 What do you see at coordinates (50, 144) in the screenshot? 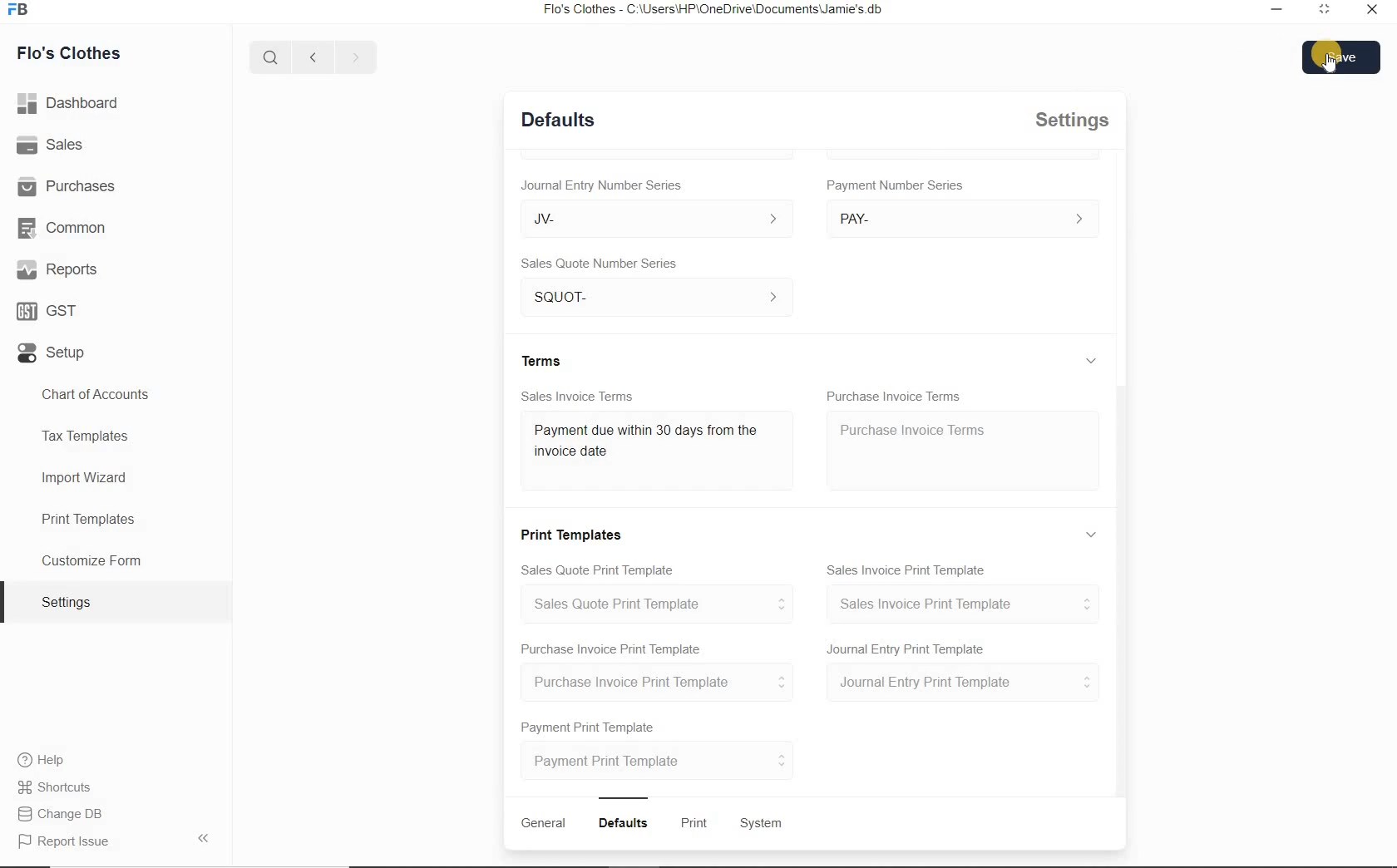
I see `Sales` at bounding box center [50, 144].